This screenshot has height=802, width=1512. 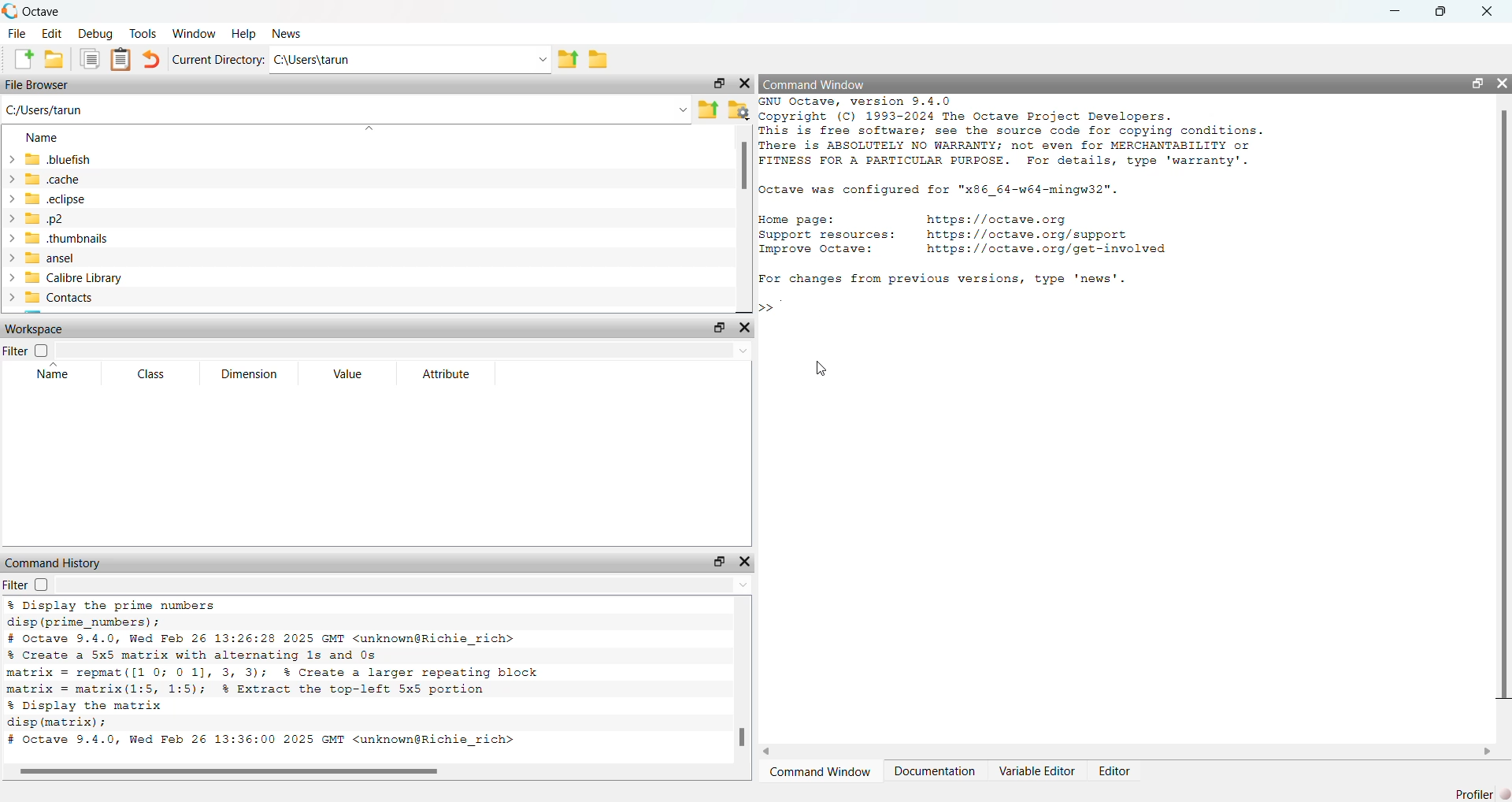 I want to click on unlock widget, so click(x=717, y=328).